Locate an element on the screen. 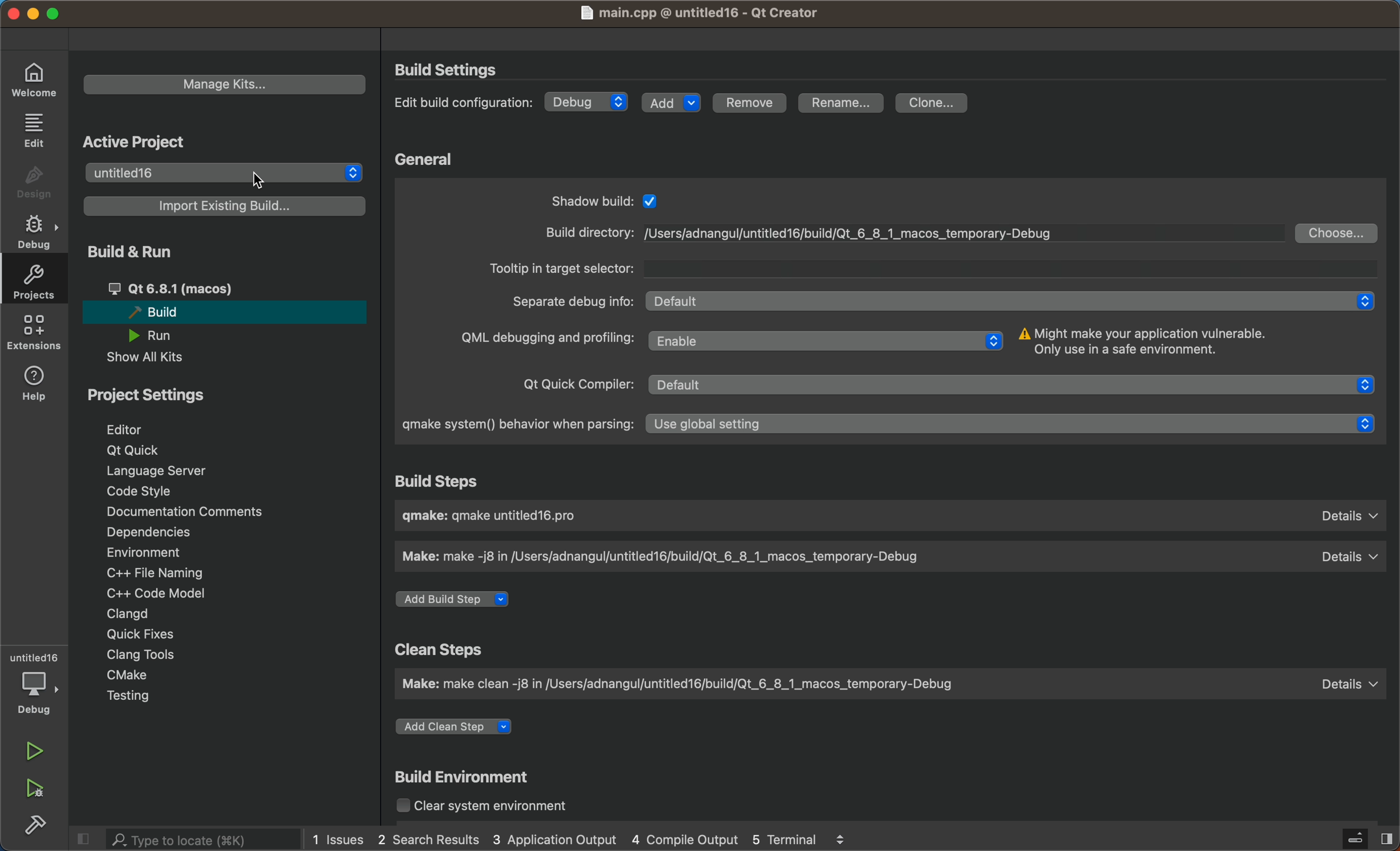 Image resolution: width=1400 pixels, height=851 pixels. logs is located at coordinates (595, 838).